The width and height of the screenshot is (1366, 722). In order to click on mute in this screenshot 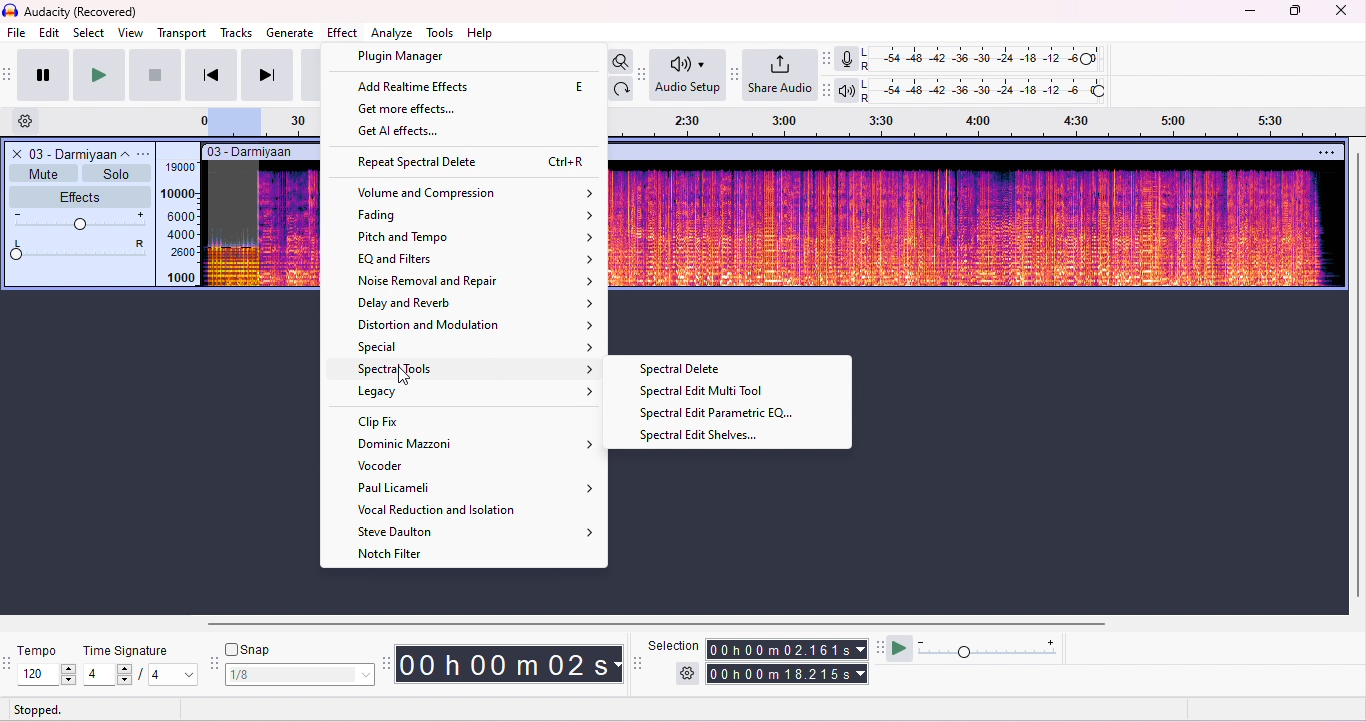, I will do `click(44, 172)`.